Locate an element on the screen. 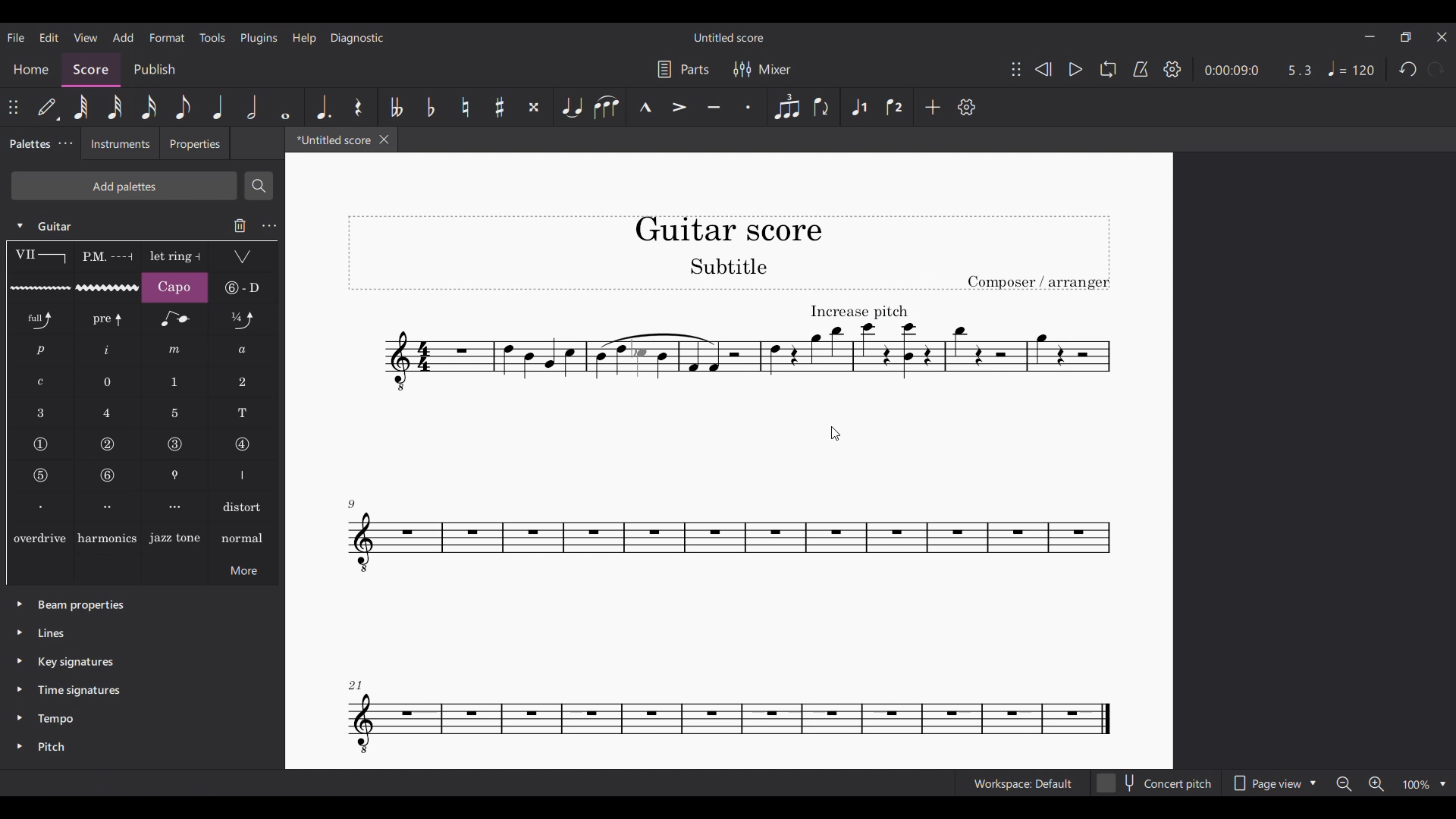  Tenuto is located at coordinates (714, 107).